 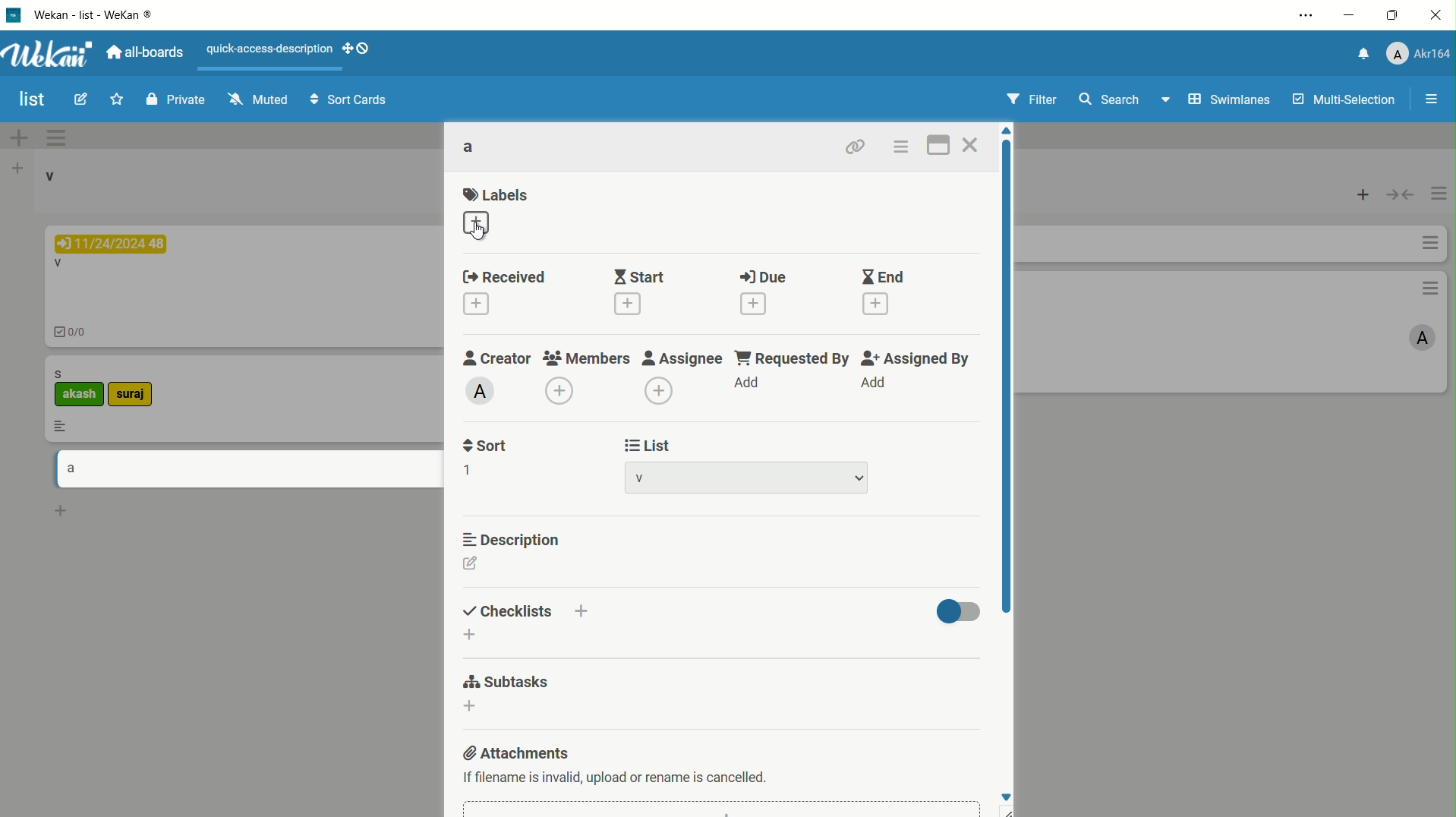 I want to click on add assignee, so click(x=660, y=390).